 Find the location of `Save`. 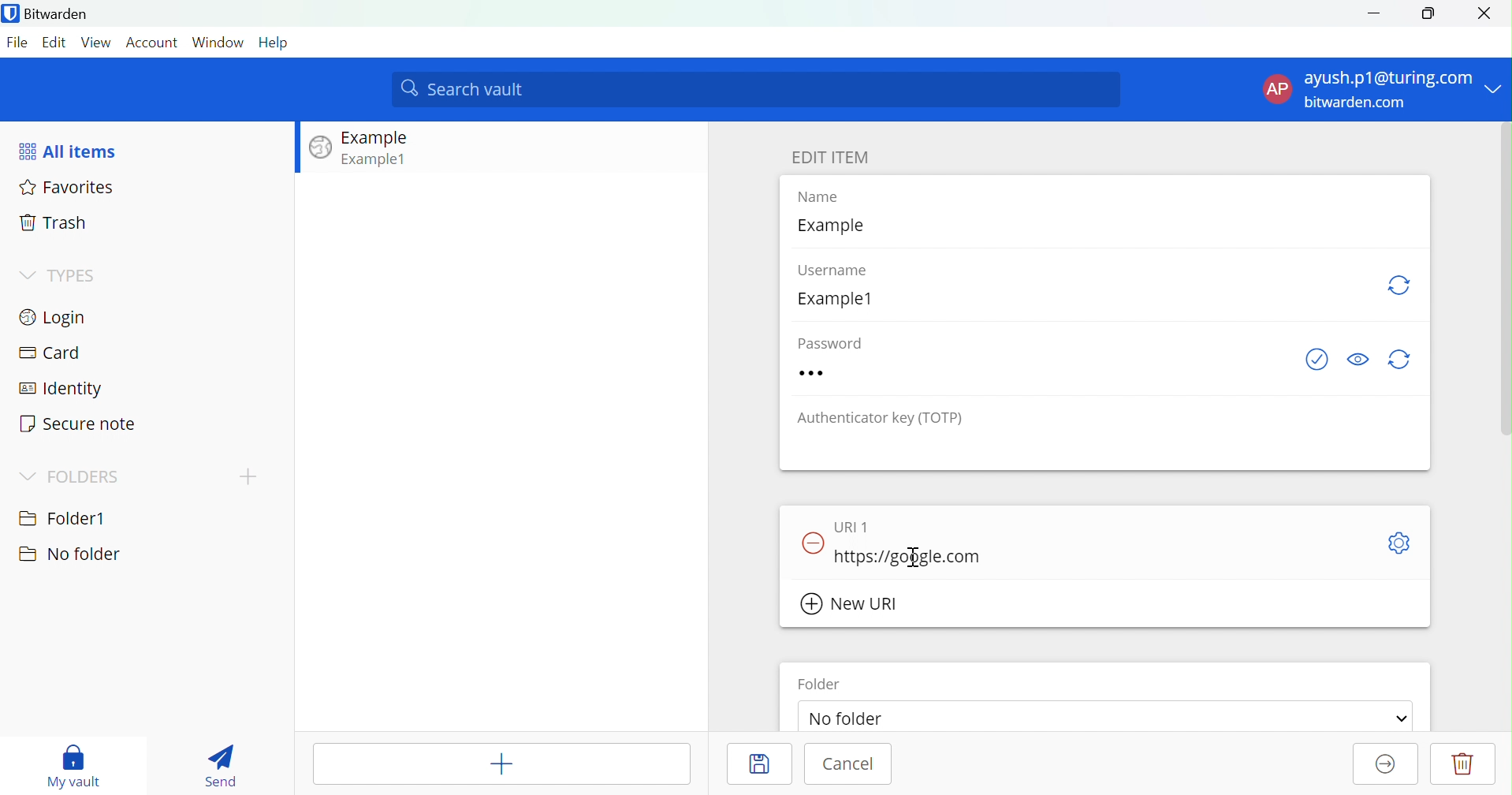

Save is located at coordinates (757, 762).